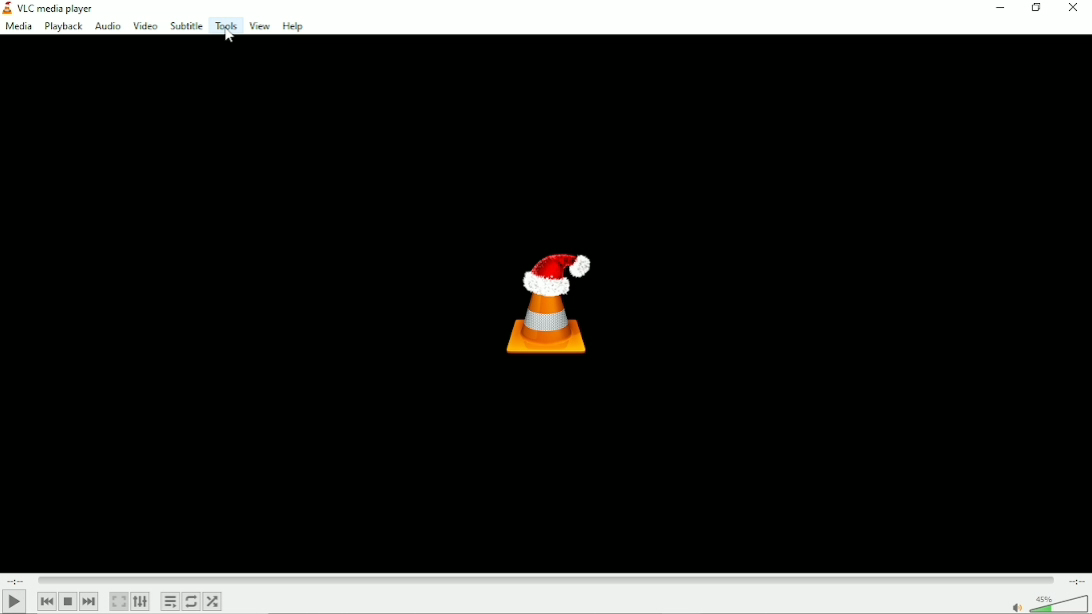  Describe the element at coordinates (119, 601) in the screenshot. I see `Toggle video in fullscreen` at that location.